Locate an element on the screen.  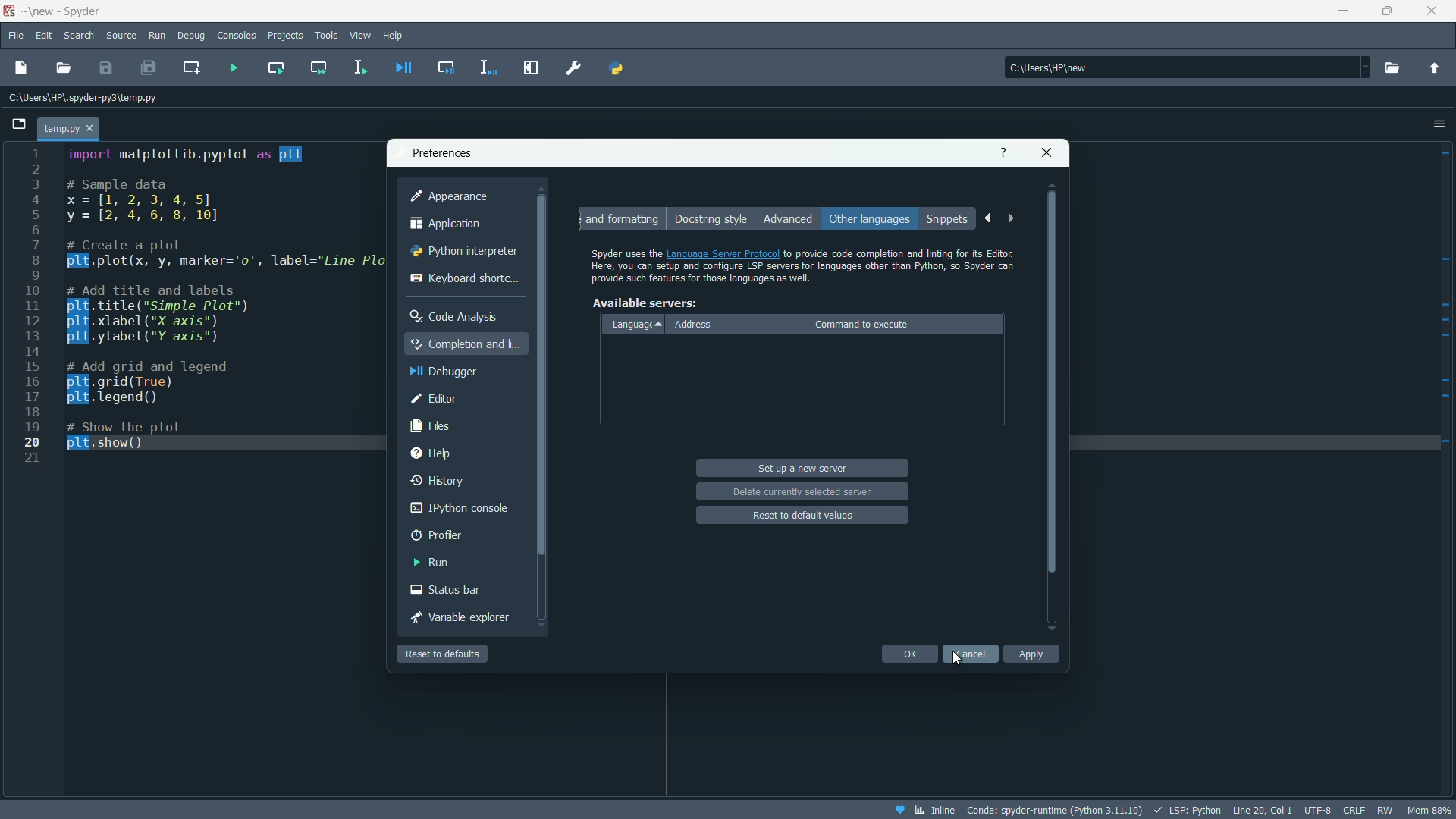
help is located at coordinates (394, 34).